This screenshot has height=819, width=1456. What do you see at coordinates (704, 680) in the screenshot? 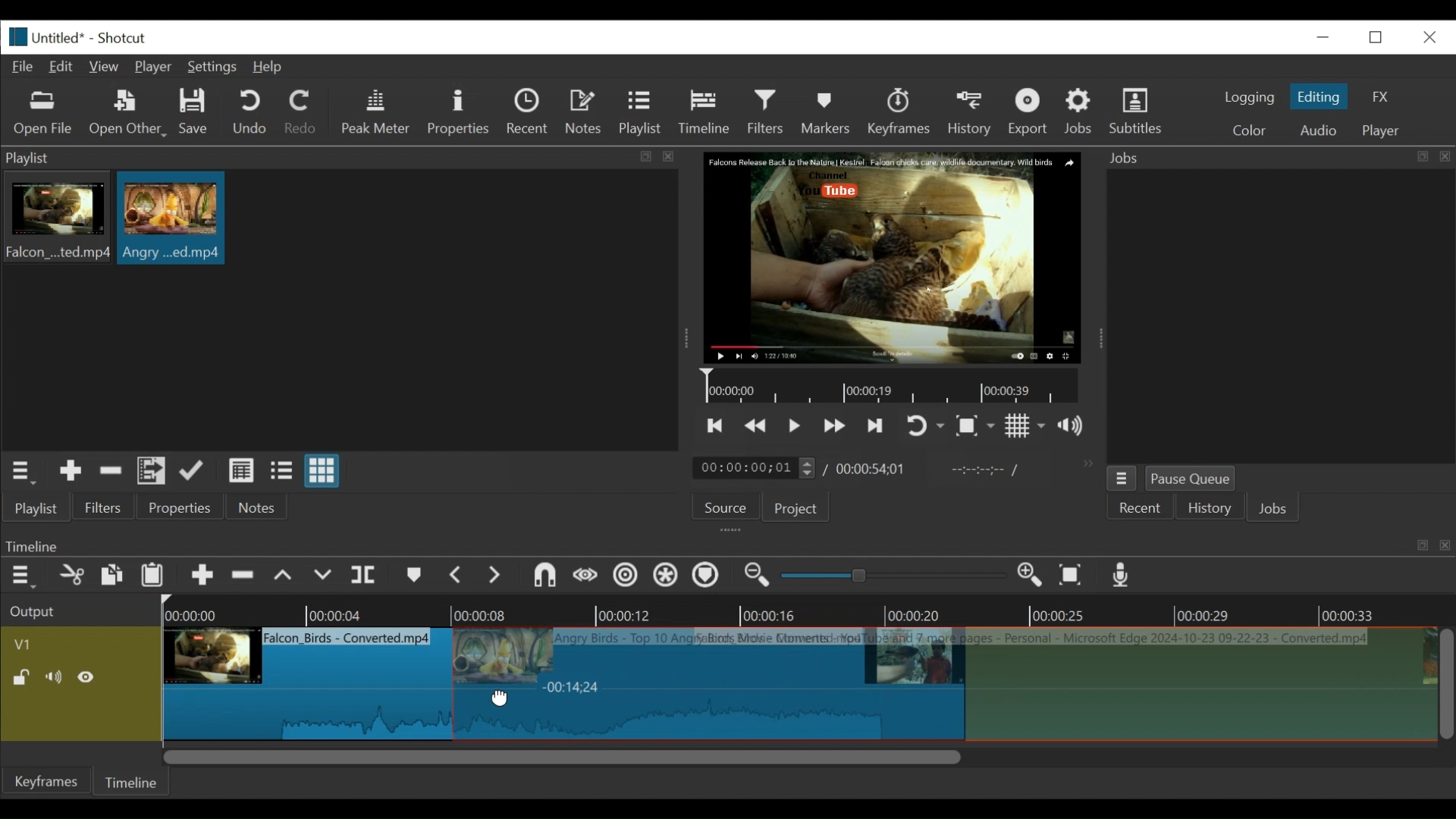
I see `clip` at bounding box center [704, 680].